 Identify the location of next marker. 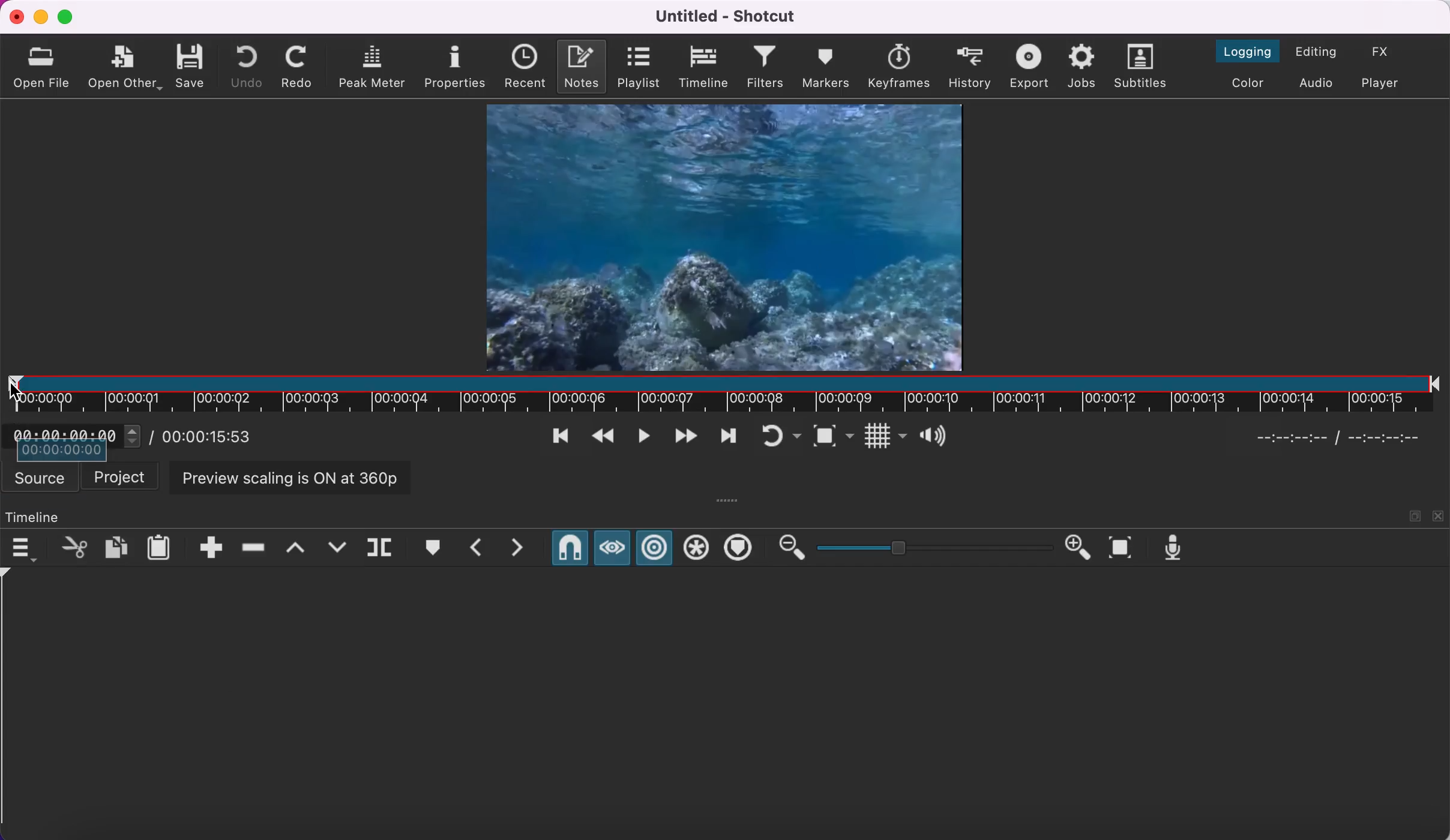
(520, 548).